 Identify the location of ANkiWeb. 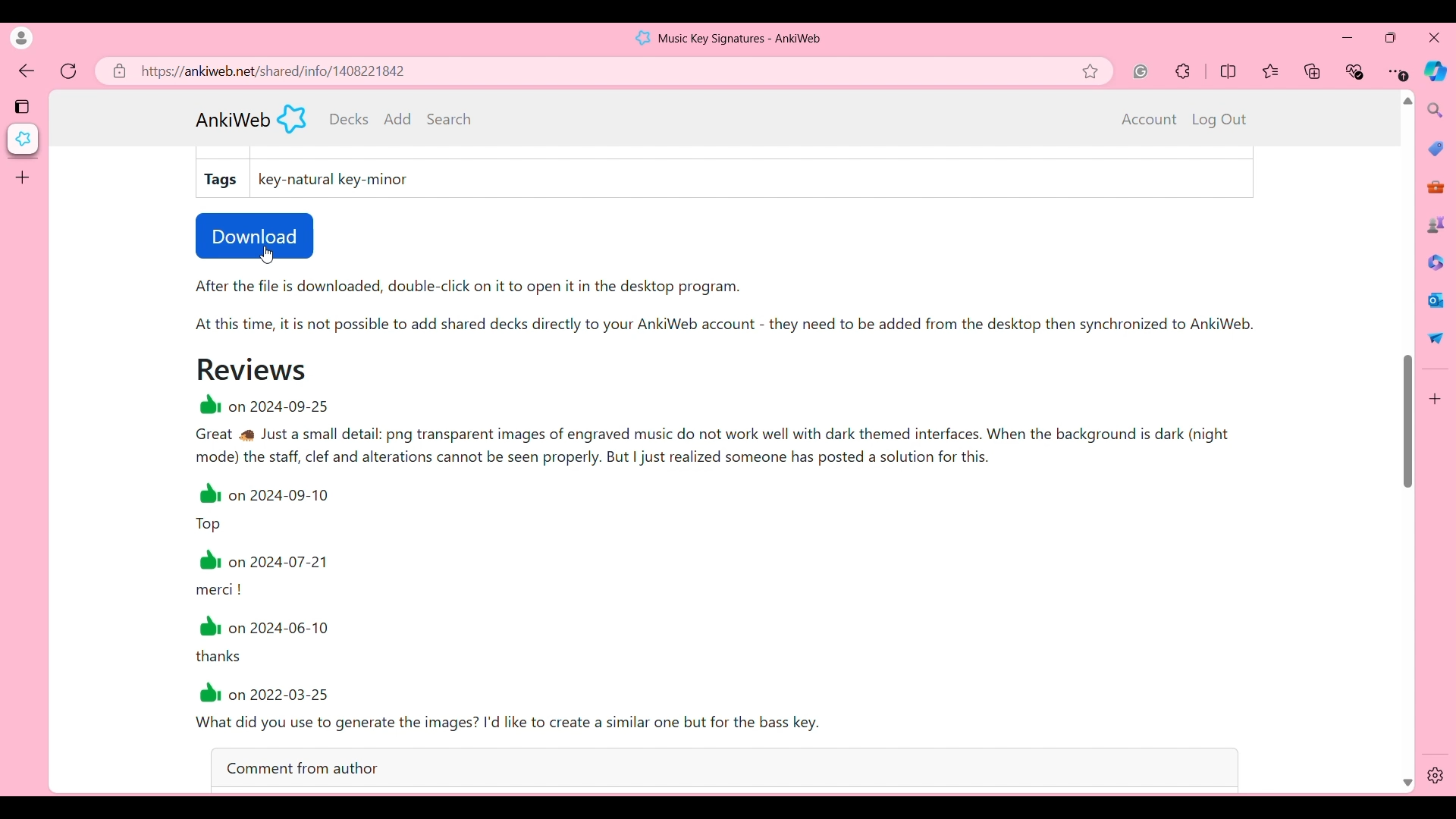
(233, 120).